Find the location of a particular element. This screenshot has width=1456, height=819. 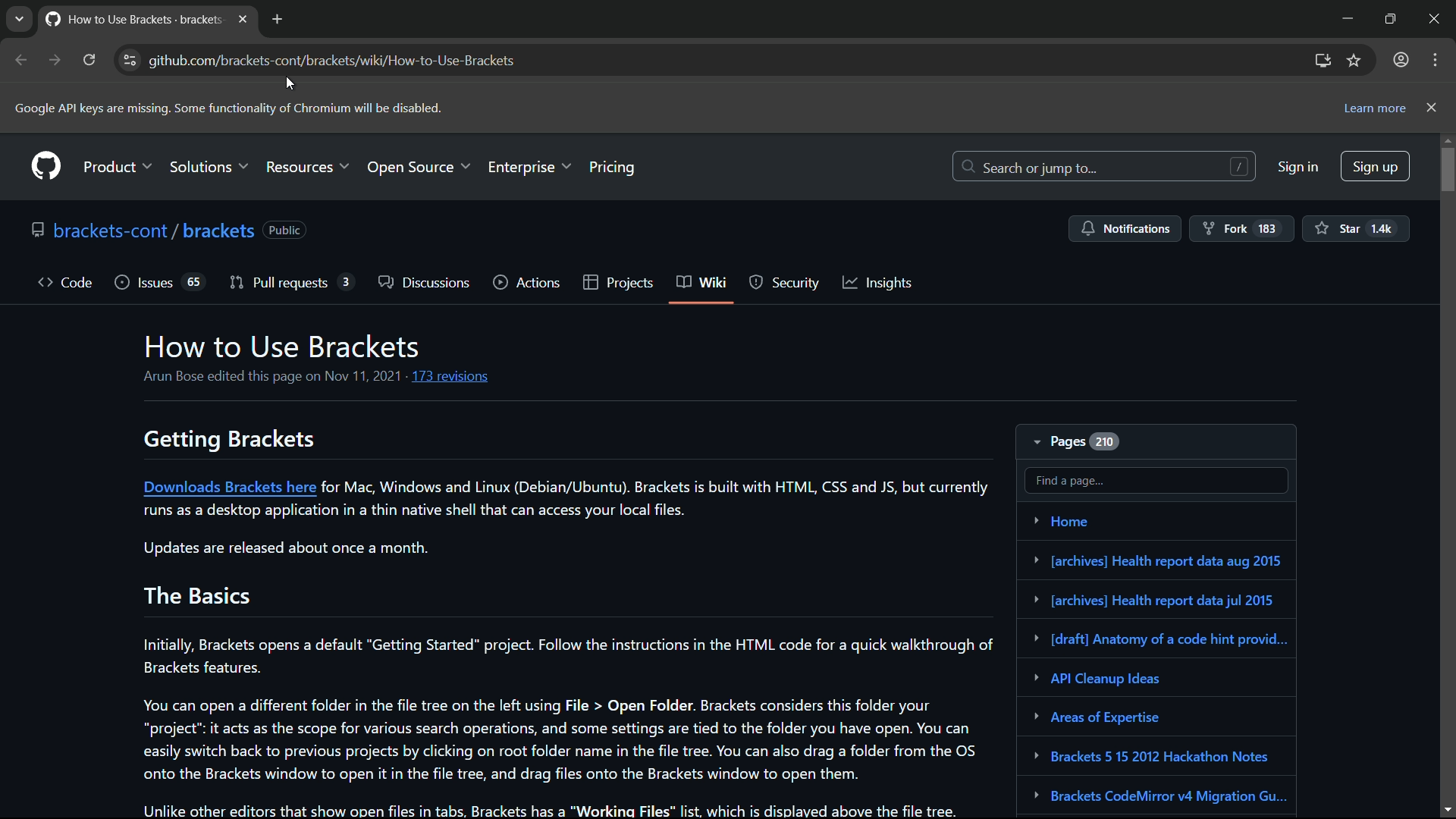

maximize is located at coordinates (1390, 19).